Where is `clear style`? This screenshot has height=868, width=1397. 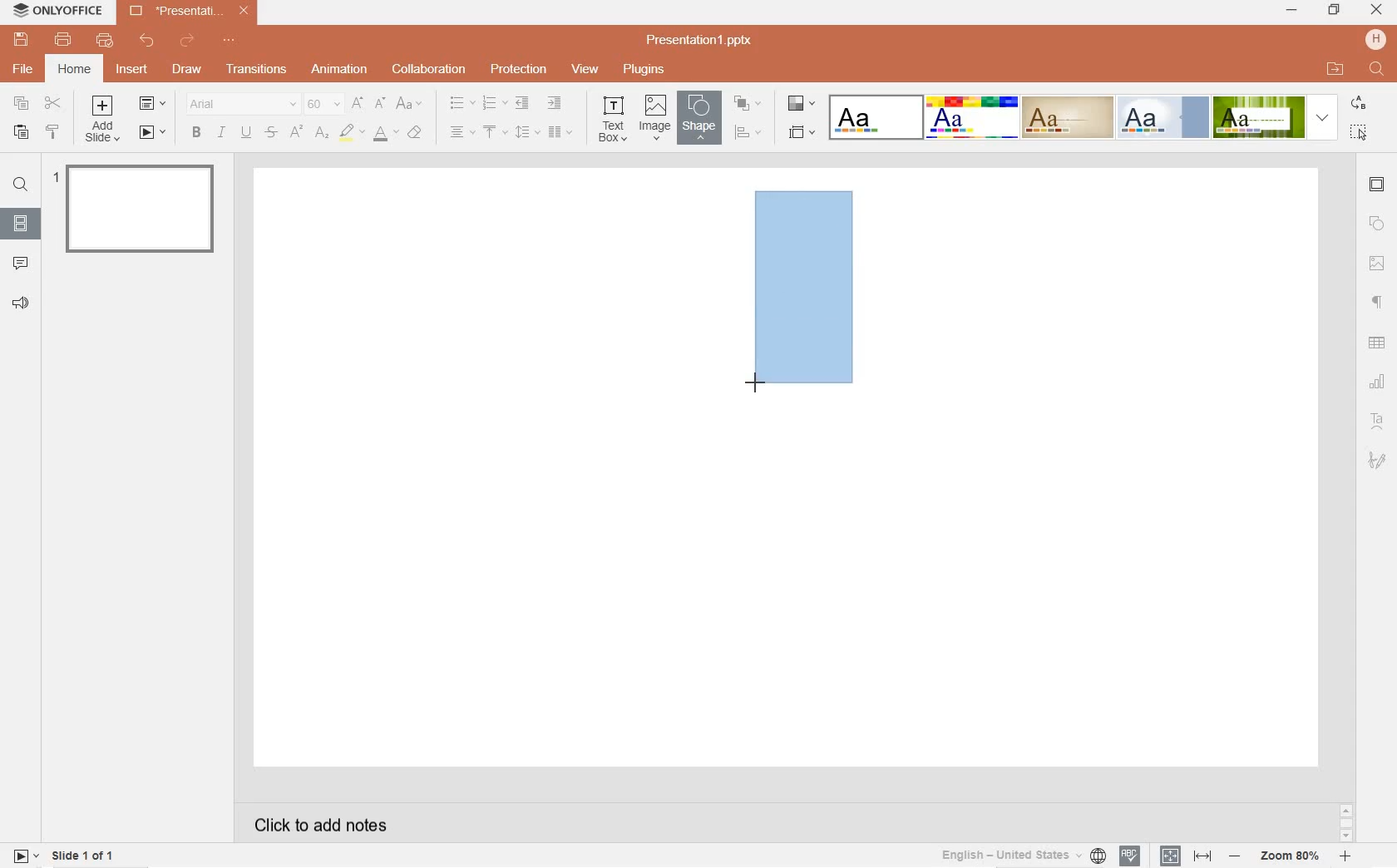
clear style is located at coordinates (417, 133).